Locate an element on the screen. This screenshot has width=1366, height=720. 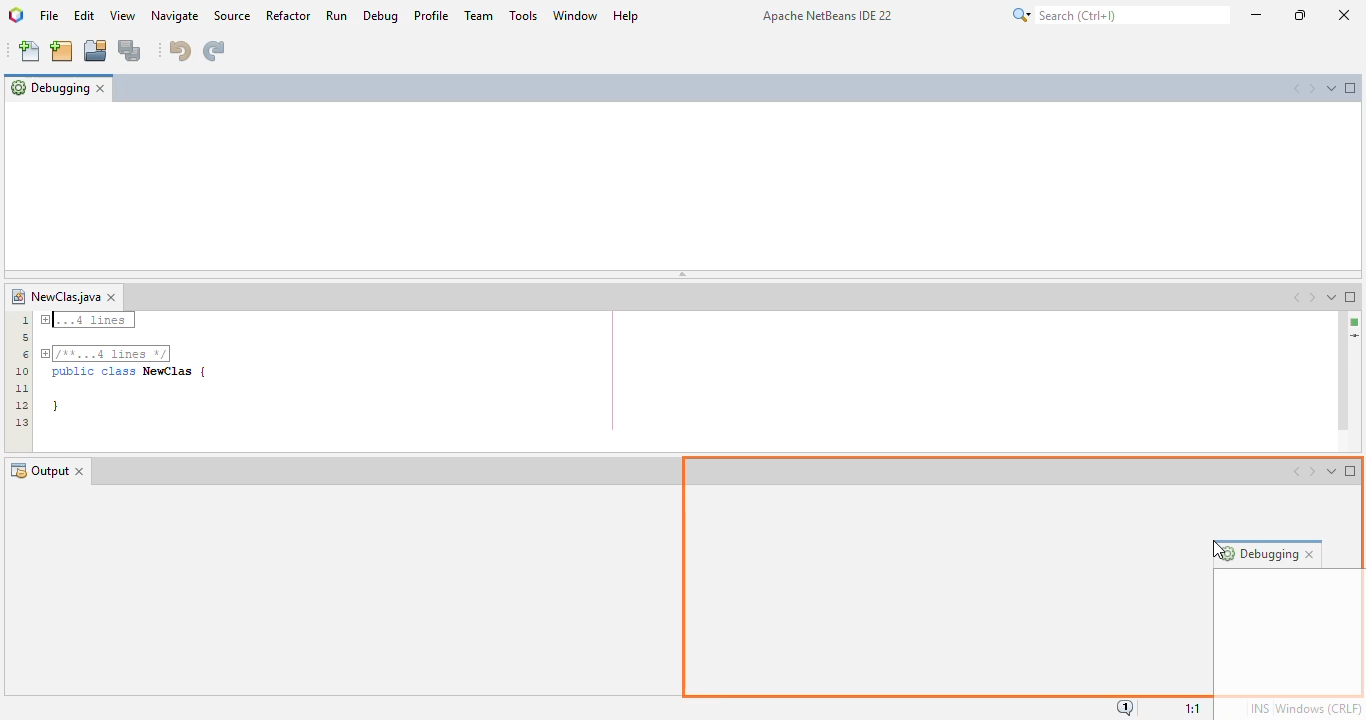
search (Ctrl + I) is located at coordinates (1120, 15).